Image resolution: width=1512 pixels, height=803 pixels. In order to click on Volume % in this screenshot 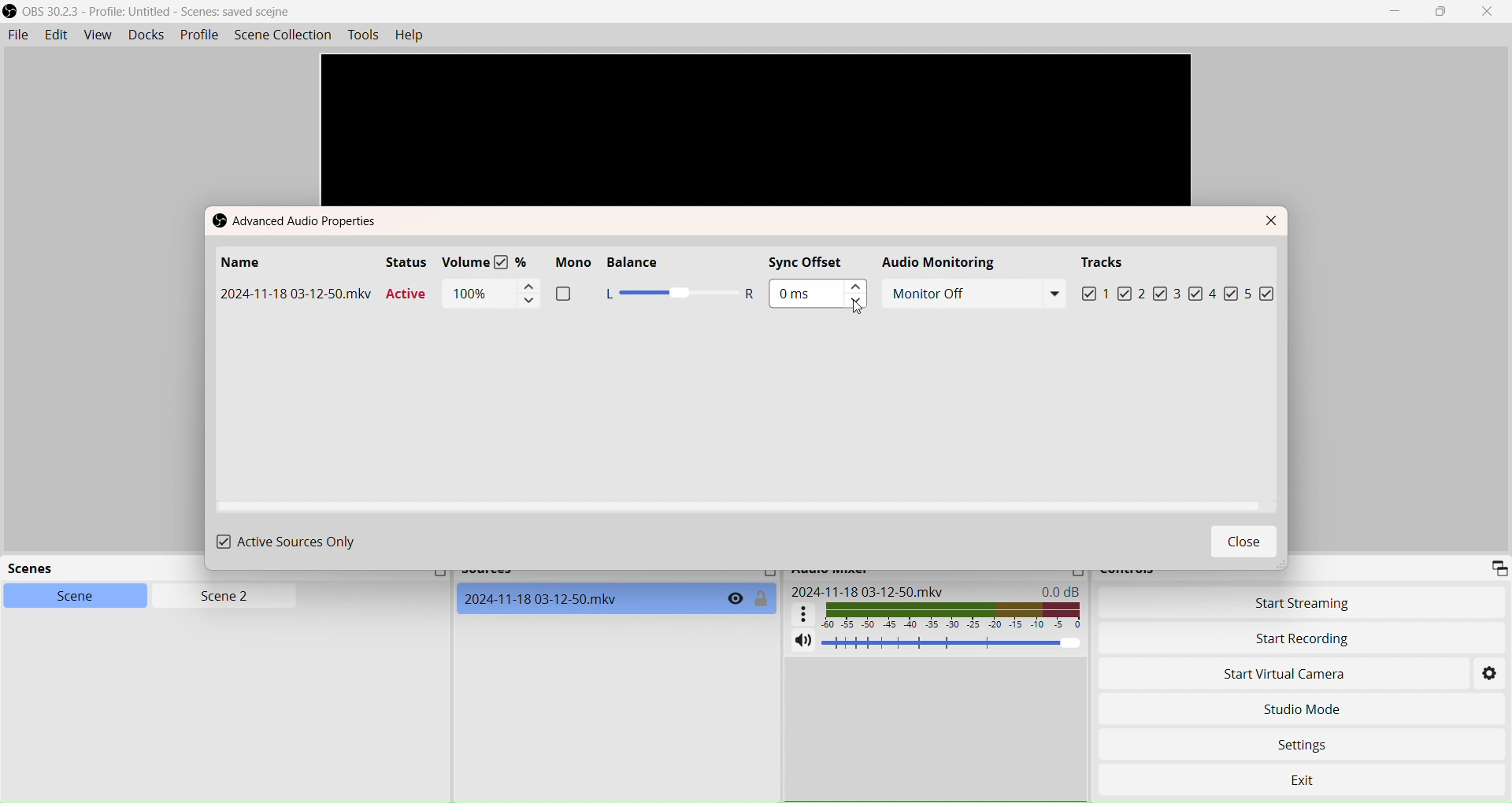, I will do `click(490, 262)`.